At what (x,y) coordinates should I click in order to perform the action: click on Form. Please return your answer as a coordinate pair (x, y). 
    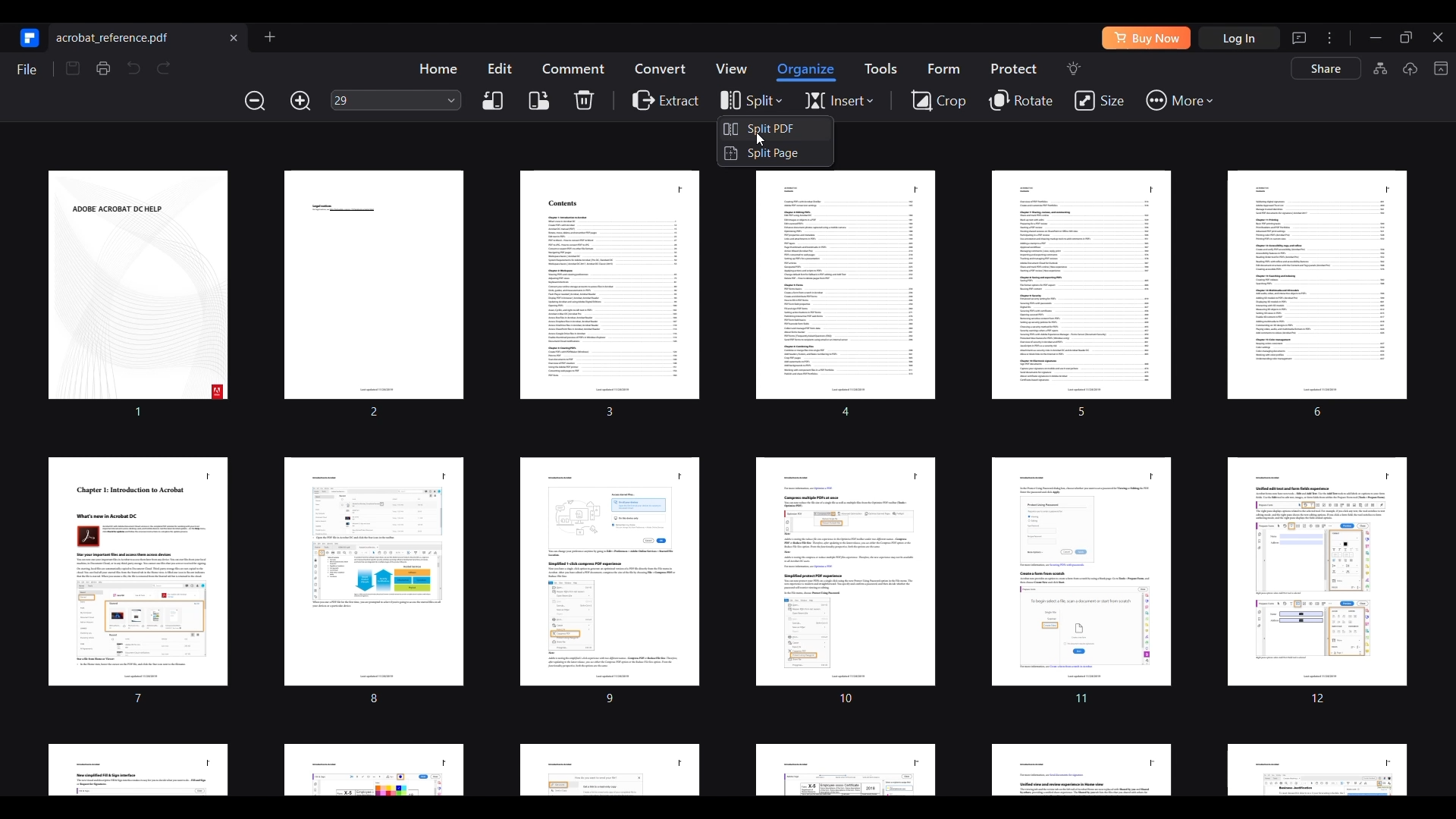
    Looking at the image, I should click on (943, 68).